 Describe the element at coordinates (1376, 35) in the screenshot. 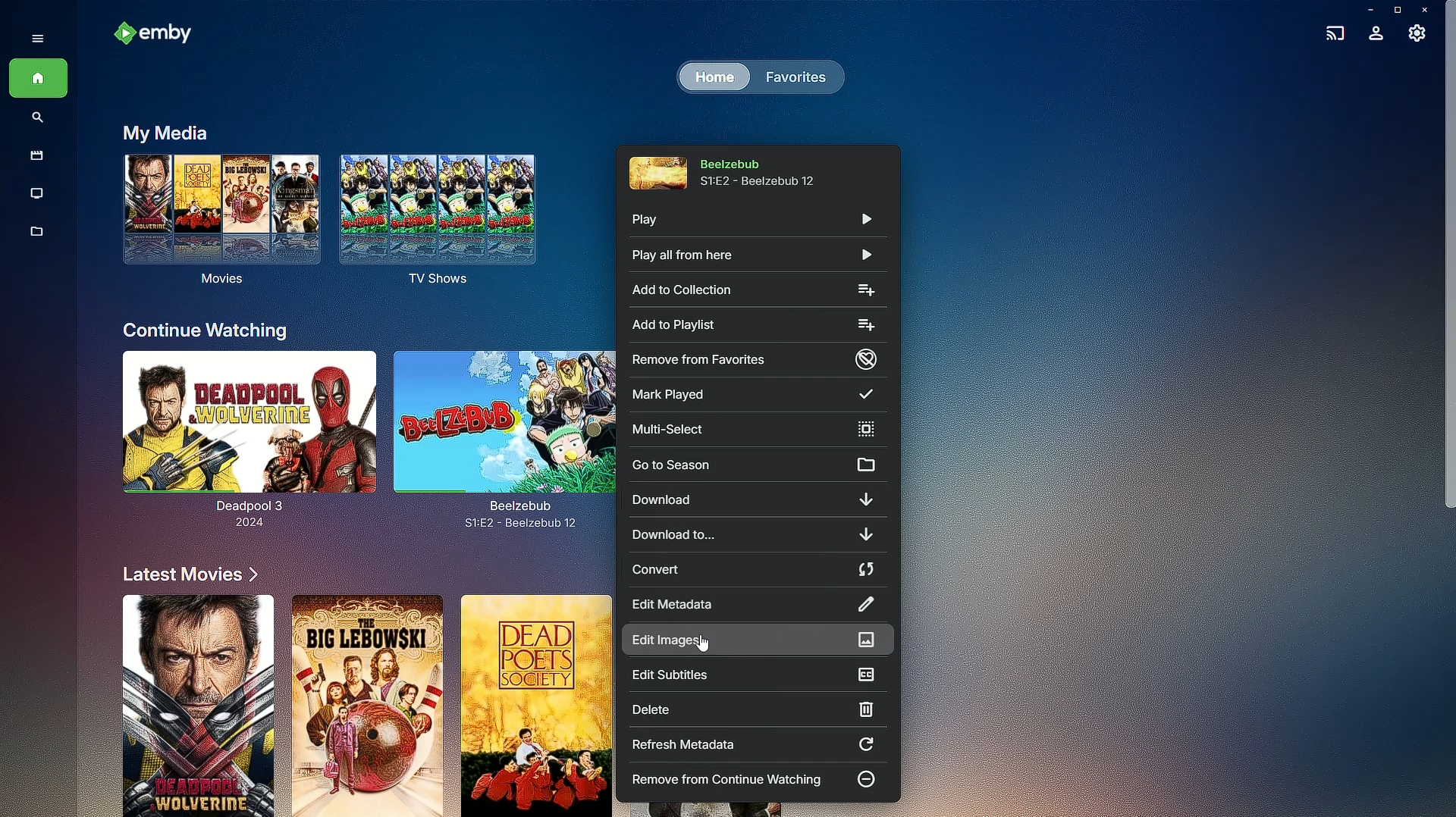

I see `Account` at that location.